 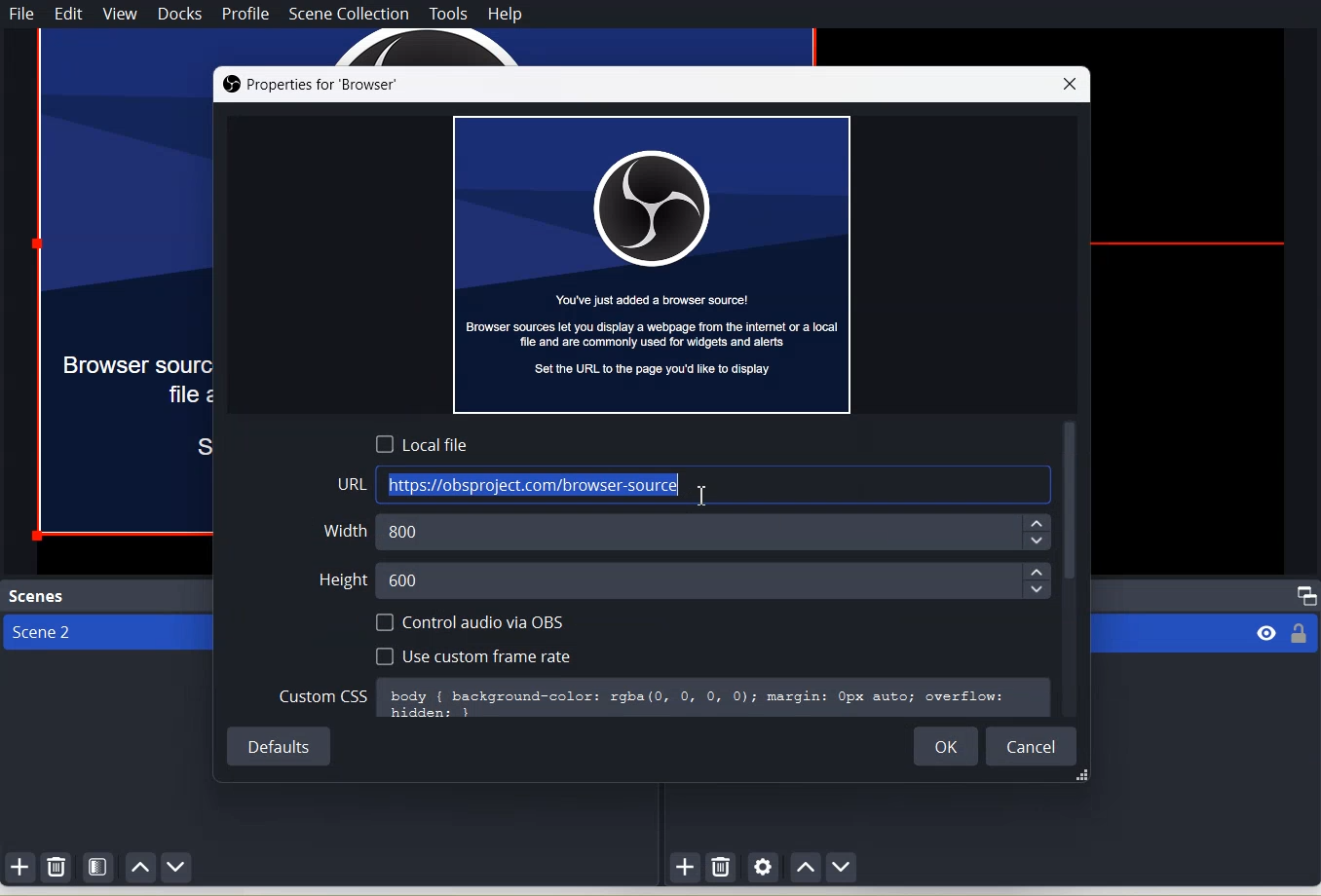 What do you see at coordinates (472, 621) in the screenshot?
I see `Control audio via OBS` at bounding box center [472, 621].